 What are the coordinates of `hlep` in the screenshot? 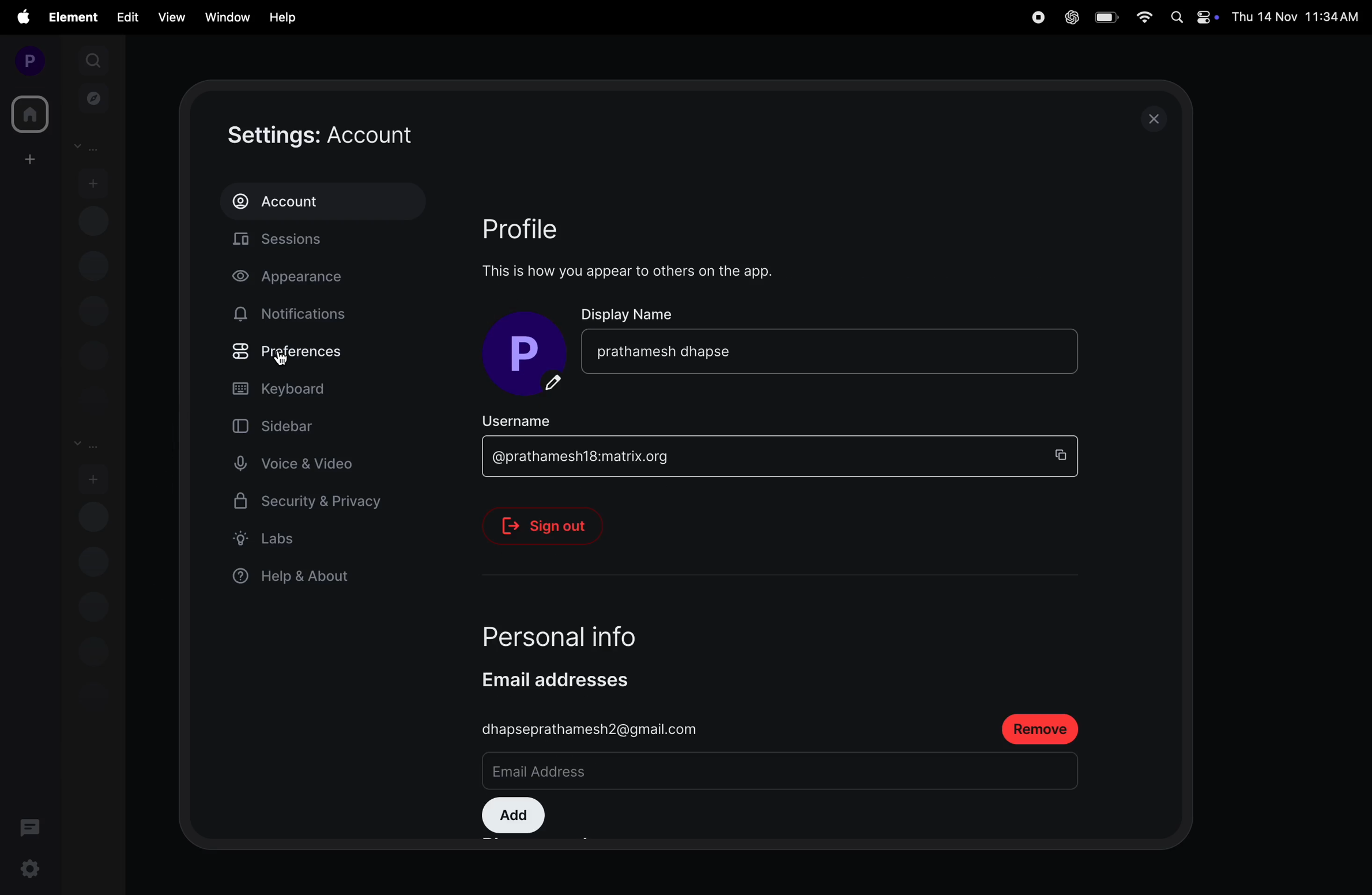 It's located at (283, 18).